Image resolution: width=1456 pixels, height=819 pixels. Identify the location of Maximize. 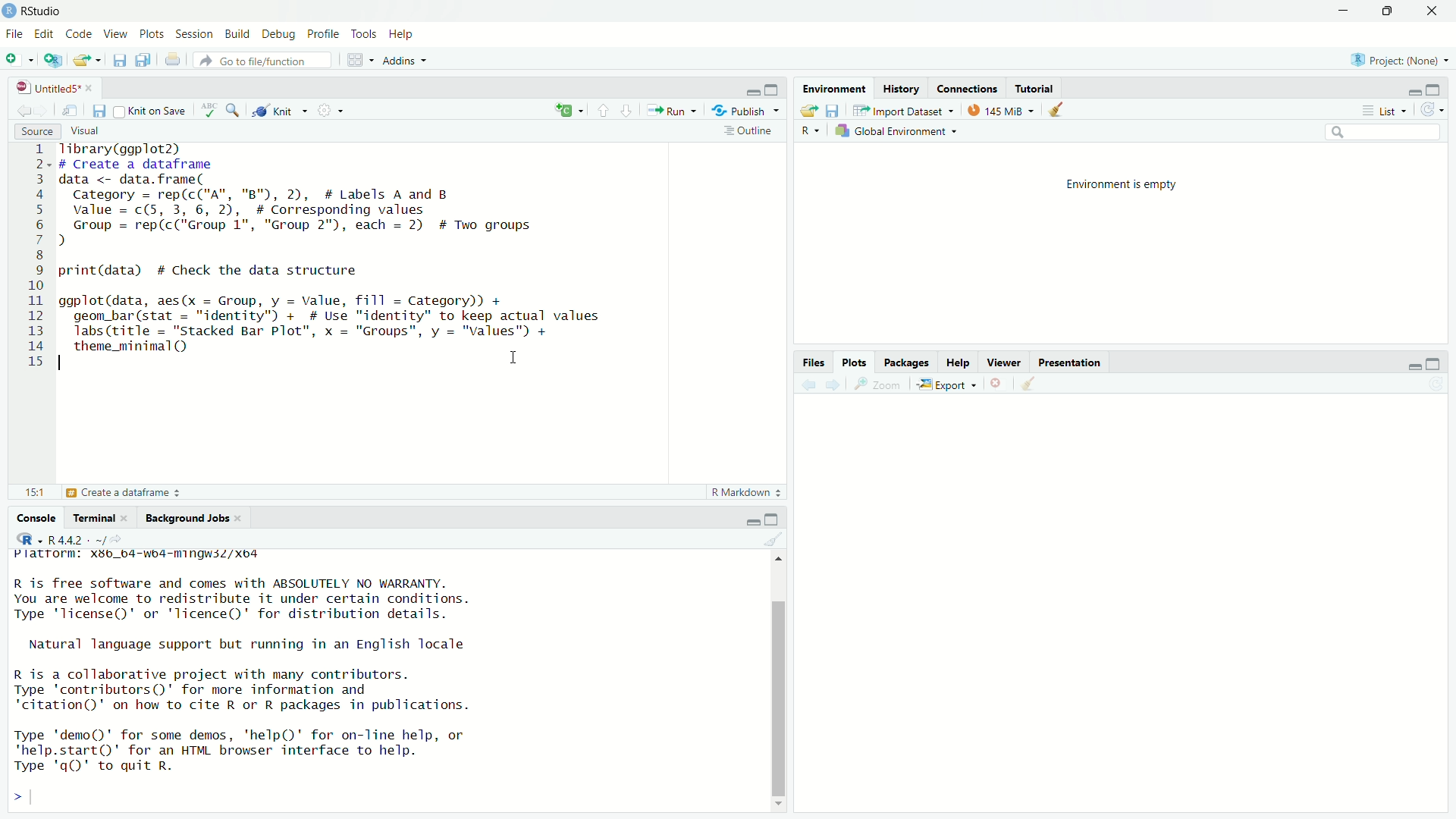
(772, 519).